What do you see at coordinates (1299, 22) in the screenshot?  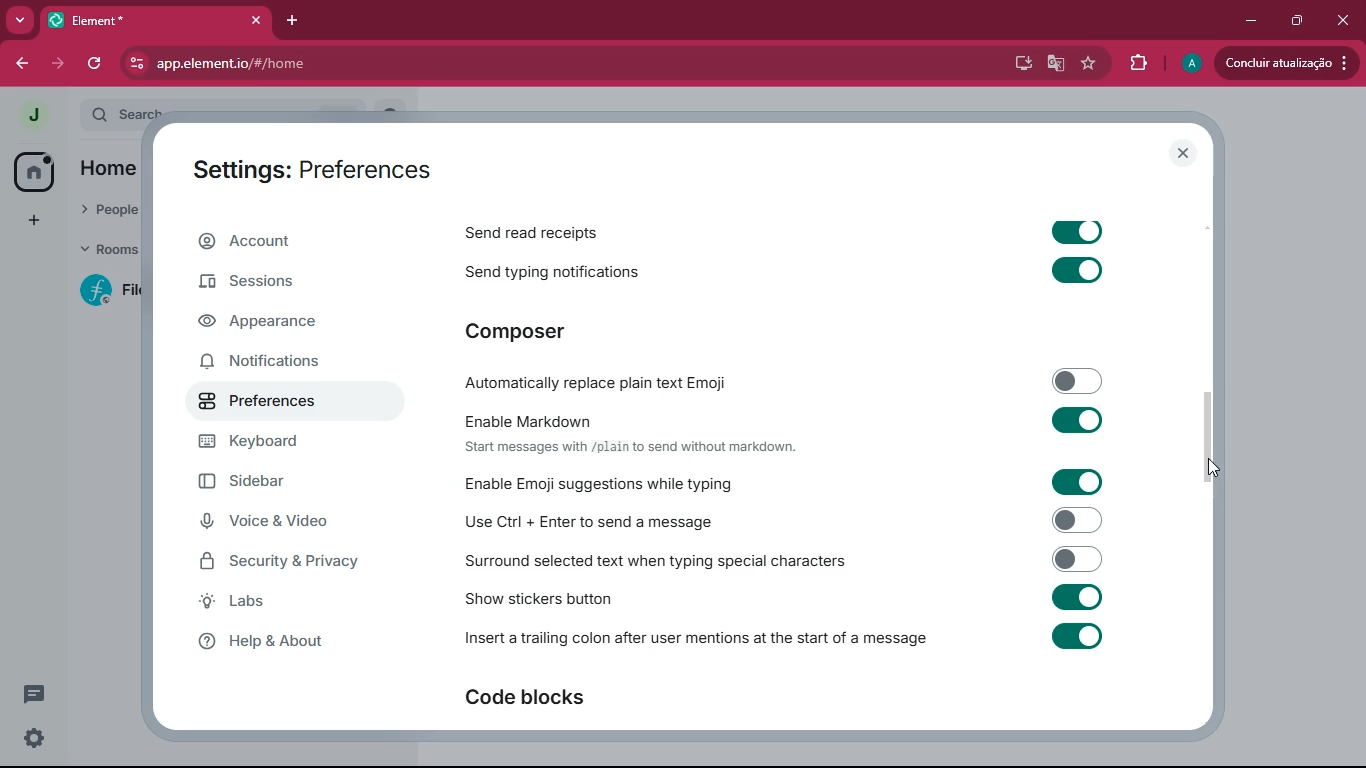 I see `maximize` at bounding box center [1299, 22].